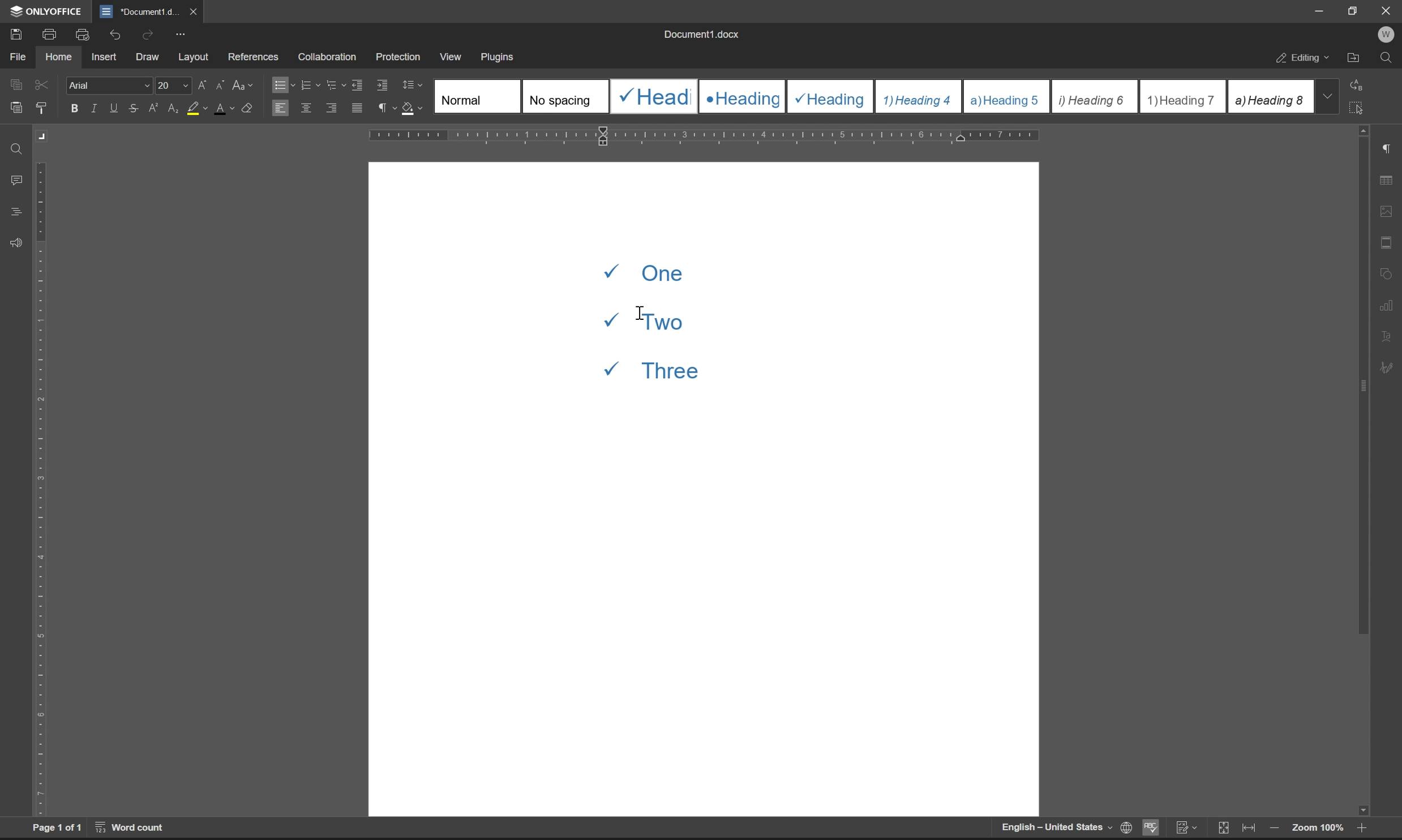 This screenshot has height=840, width=1402. What do you see at coordinates (919, 97) in the screenshot?
I see `Heading 4` at bounding box center [919, 97].